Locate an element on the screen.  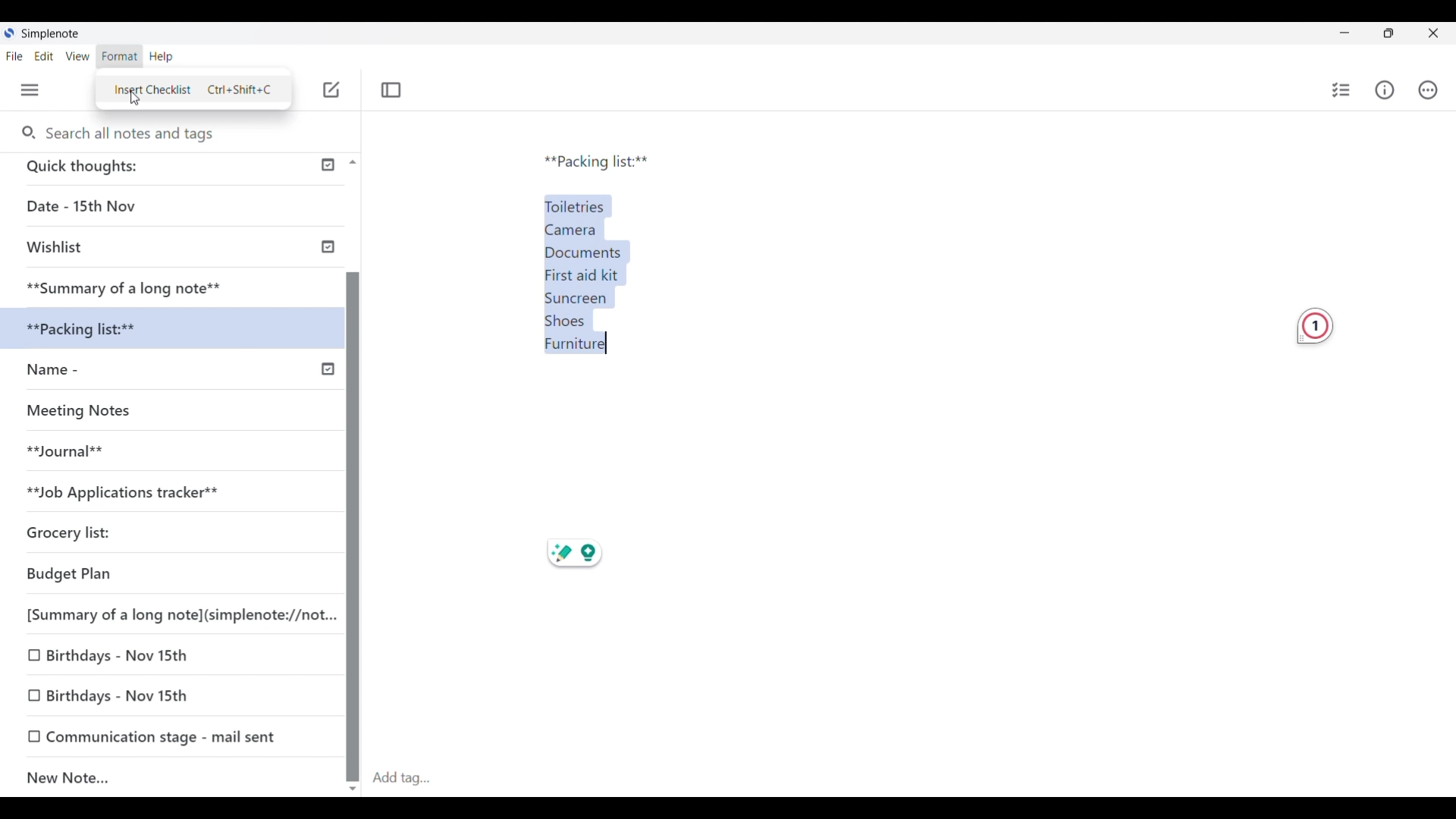
[Summary of a long note](simplenote://not... is located at coordinates (174, 614).